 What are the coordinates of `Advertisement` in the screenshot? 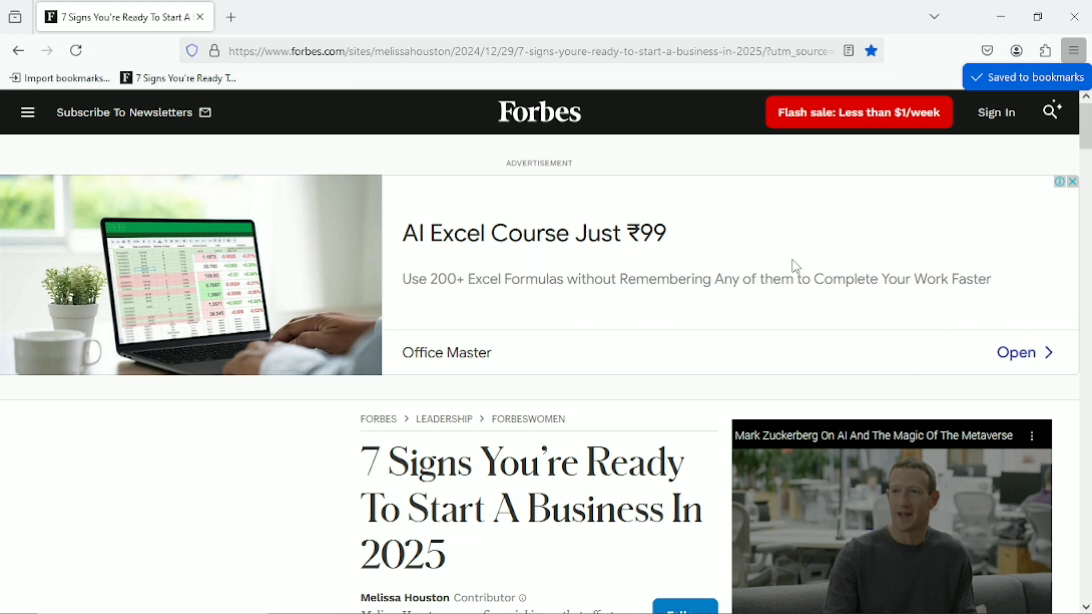 It's located at (546, 266).